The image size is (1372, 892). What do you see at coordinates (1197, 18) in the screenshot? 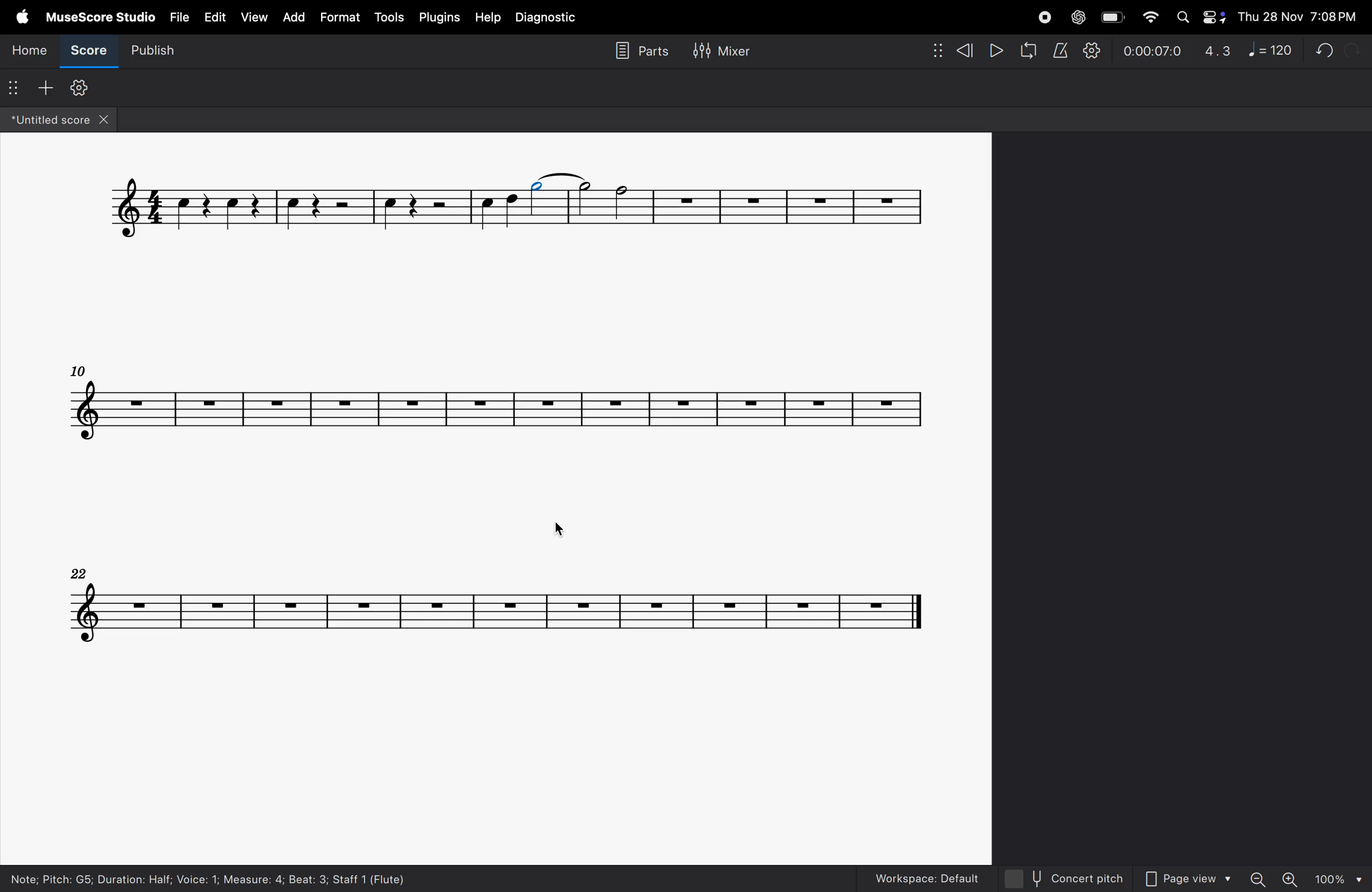
I see `apple widgets` at bounding box center [1197, 18].